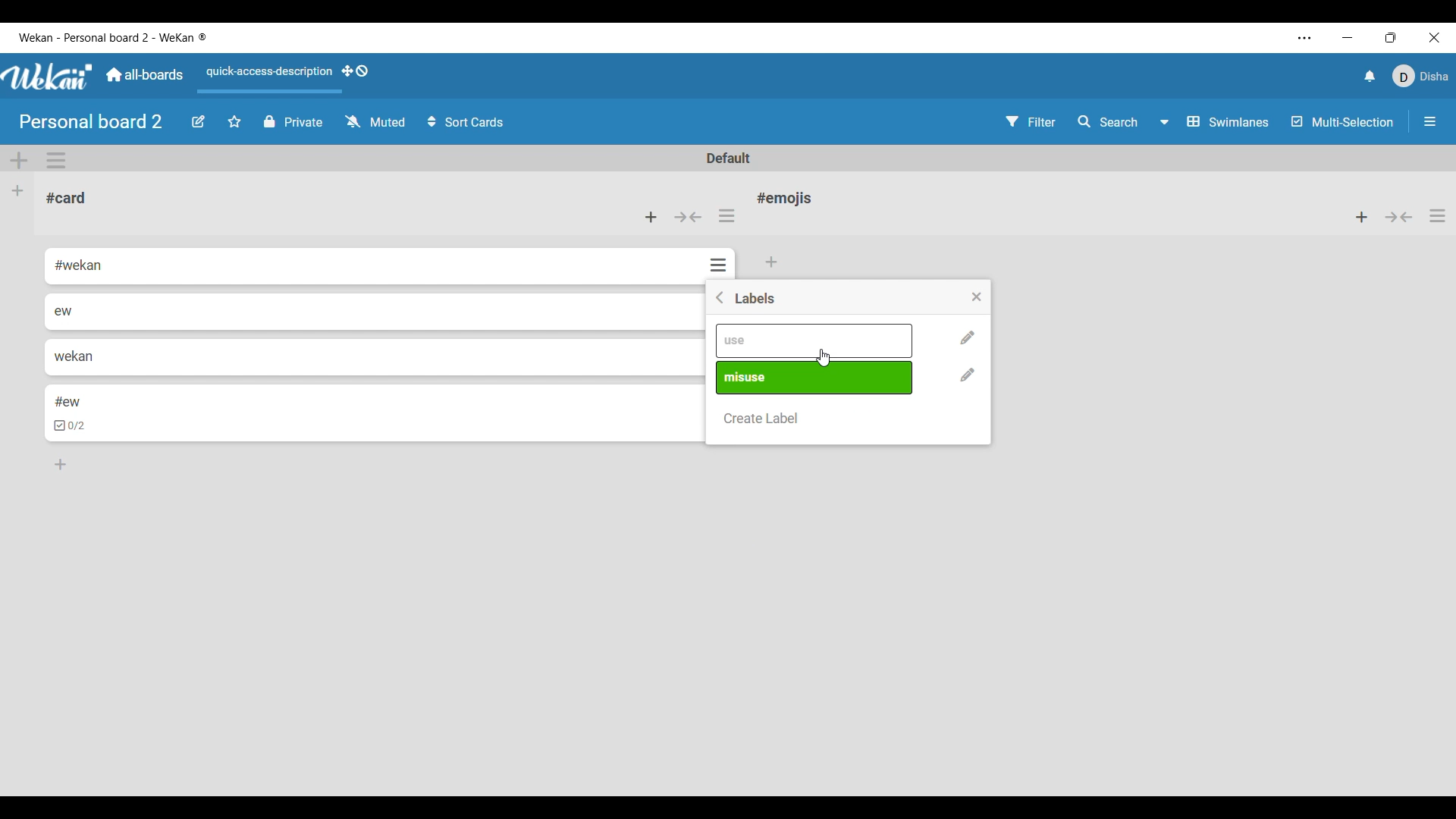 The height and width of the screenshot is (819, 1456). What do you see at coordinates (48, 77) in the screenshot?
I see `Software logo` at bounding box center [48, 77].